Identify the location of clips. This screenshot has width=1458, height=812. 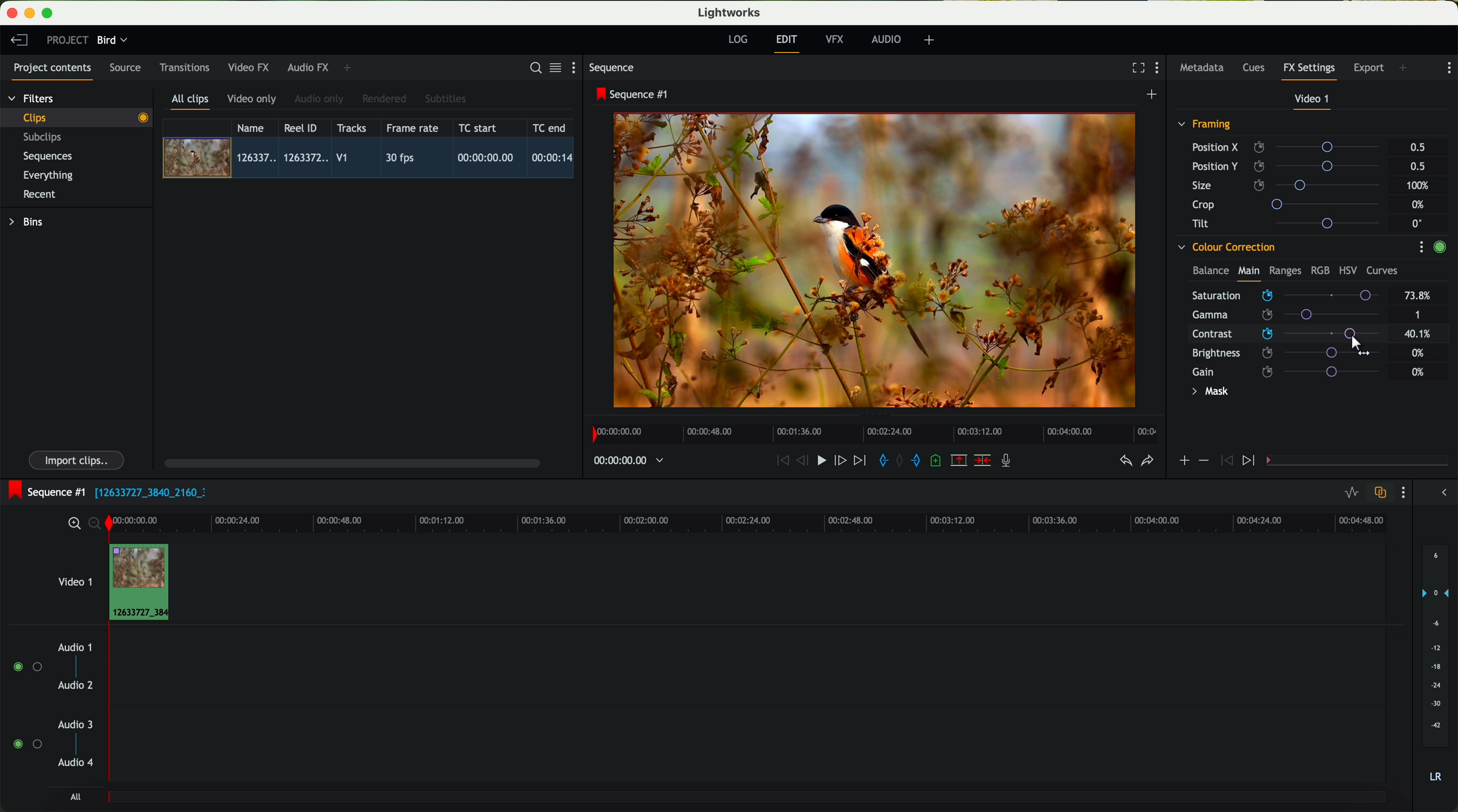
(77, 117).